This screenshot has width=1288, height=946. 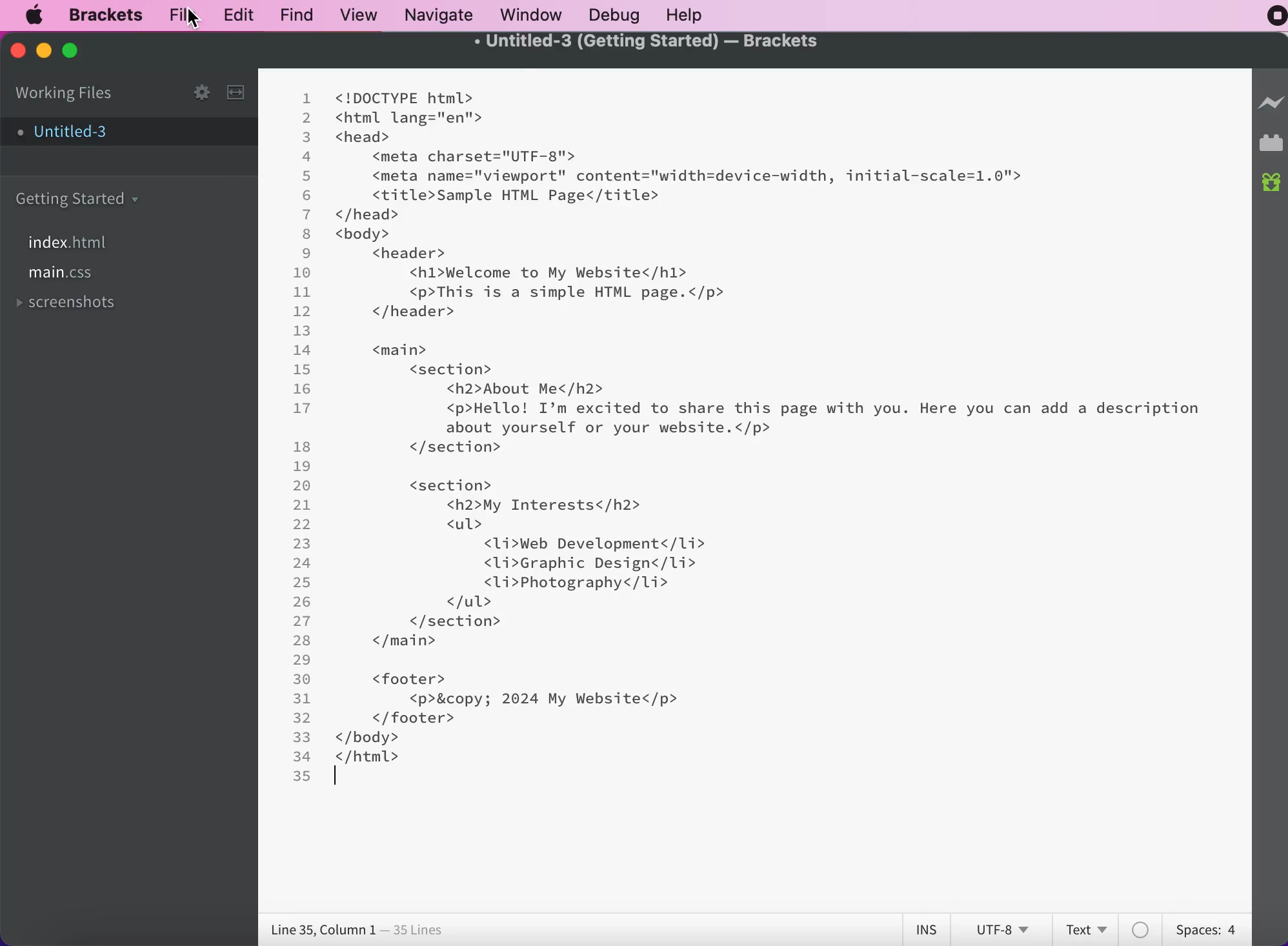 What do you see at coordinates (1141, 927) in the screenshot?
I see `color` at bounding box center [1141, 927].